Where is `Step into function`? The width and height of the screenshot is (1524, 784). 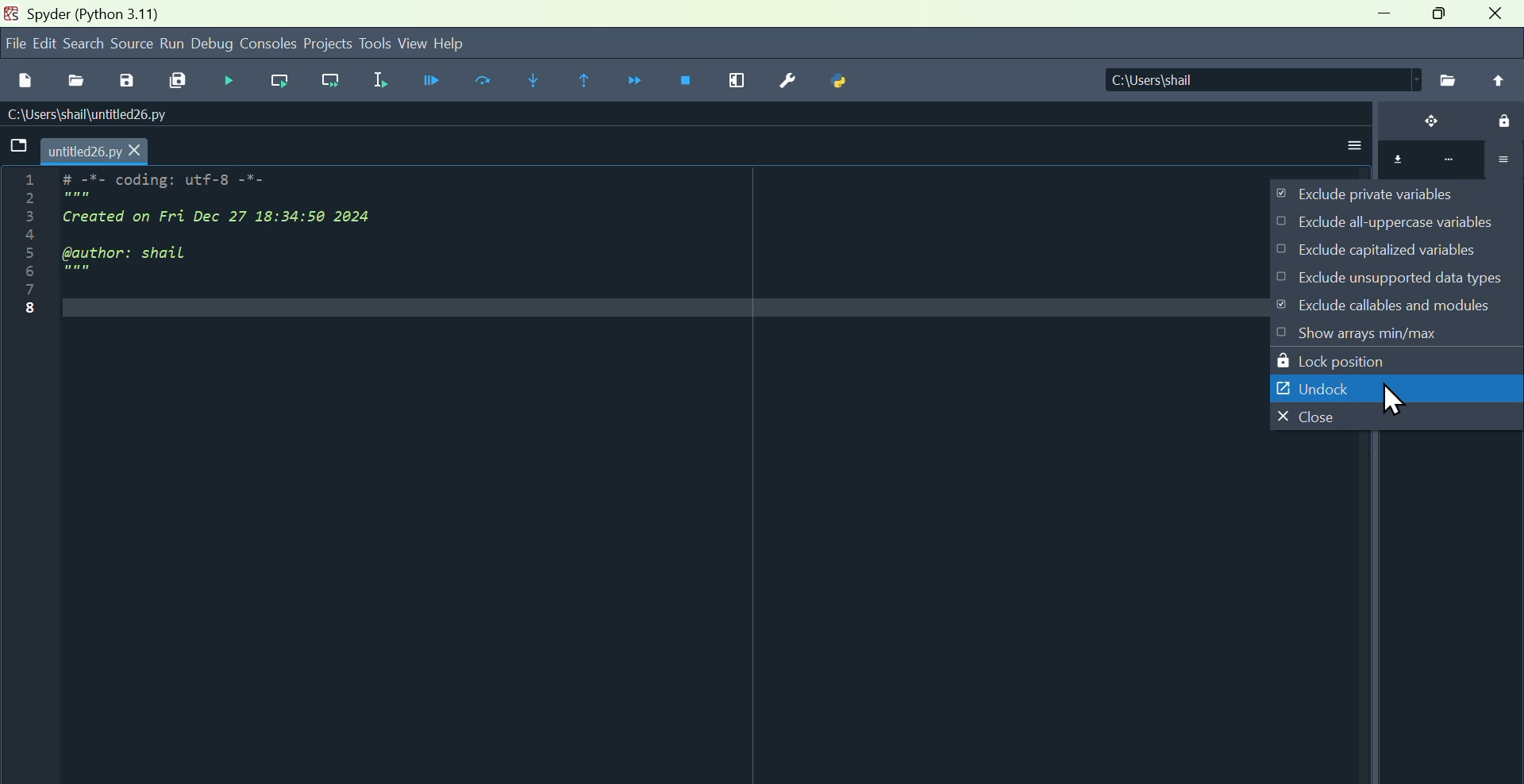 Step into function is located at coordinates (533, 80).